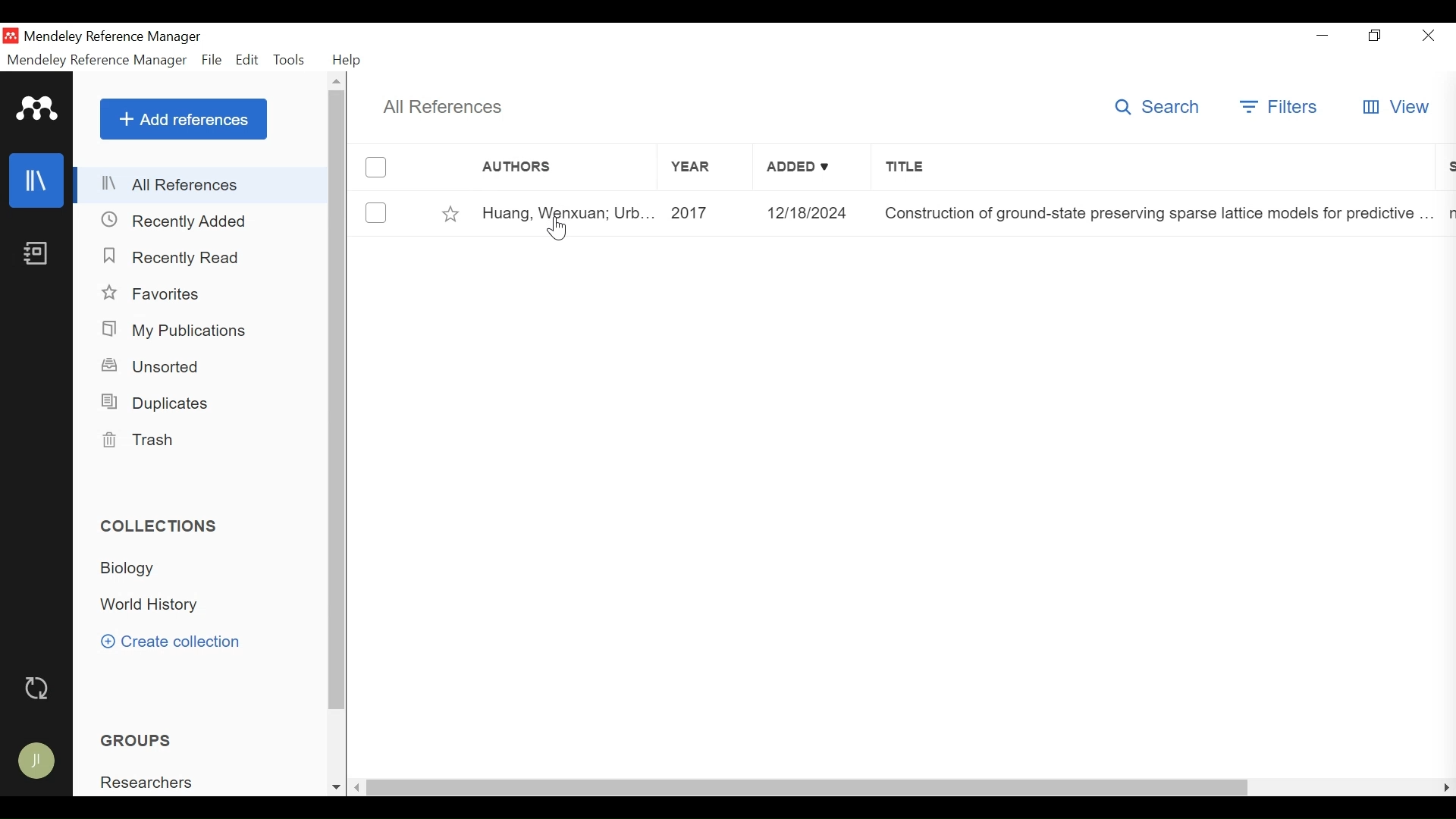 The image size is (1456, 819). Describe the element at coordinates (1161, 215) in the screenshot. I see `Title` at that location.